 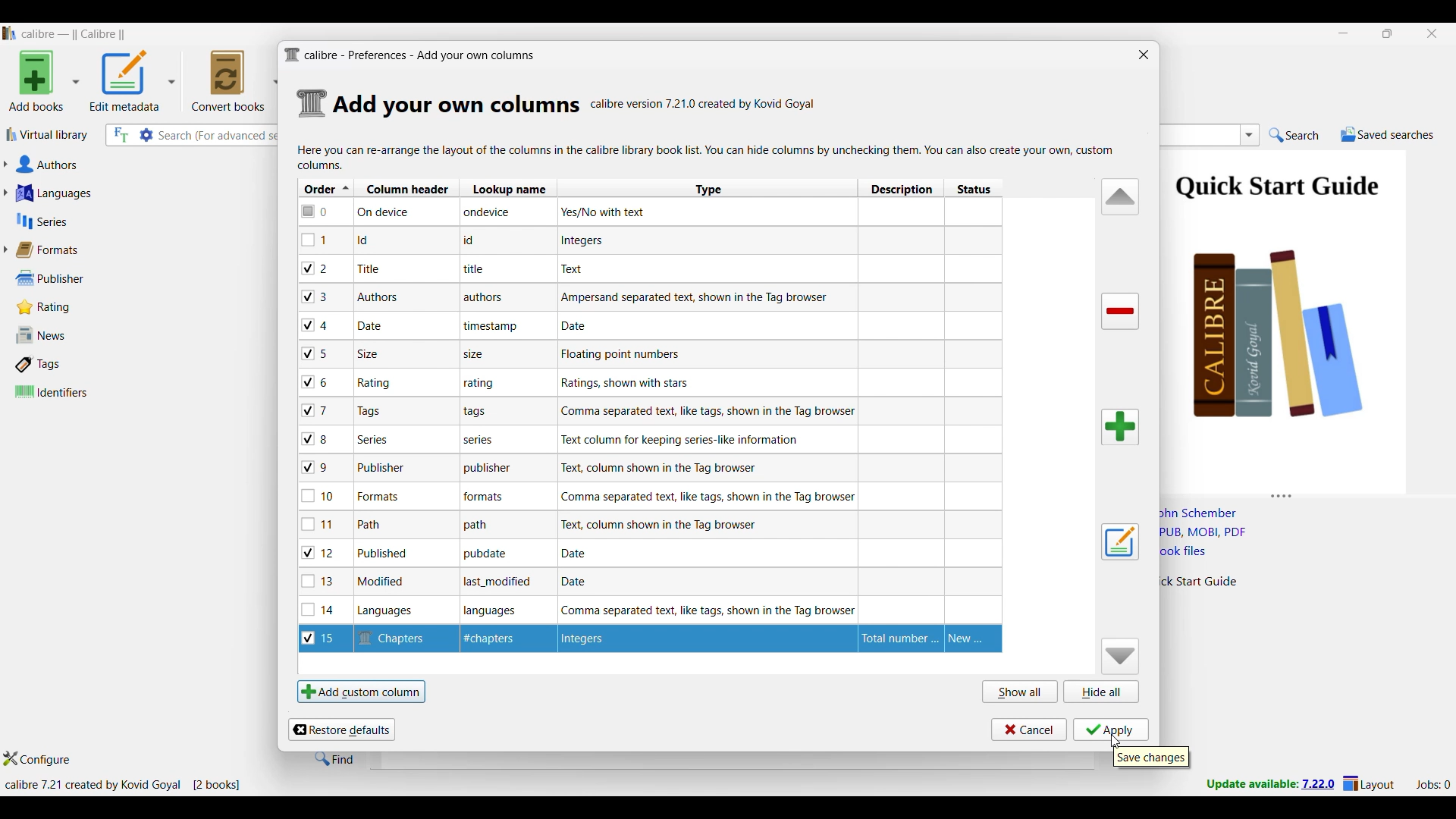 I want to click on Description of current window, so click(x=707, y=157).